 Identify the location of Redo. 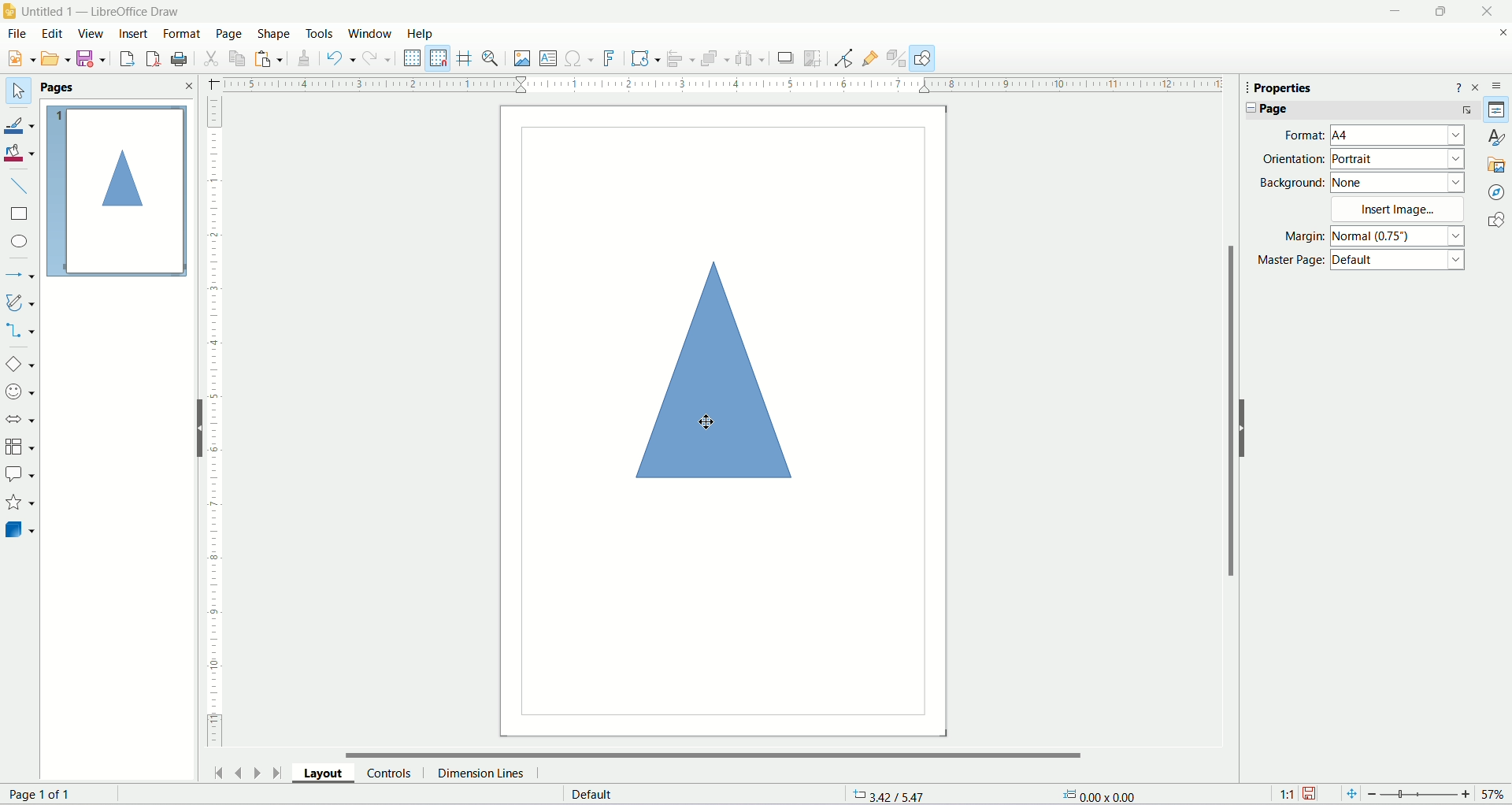
(376, 57).